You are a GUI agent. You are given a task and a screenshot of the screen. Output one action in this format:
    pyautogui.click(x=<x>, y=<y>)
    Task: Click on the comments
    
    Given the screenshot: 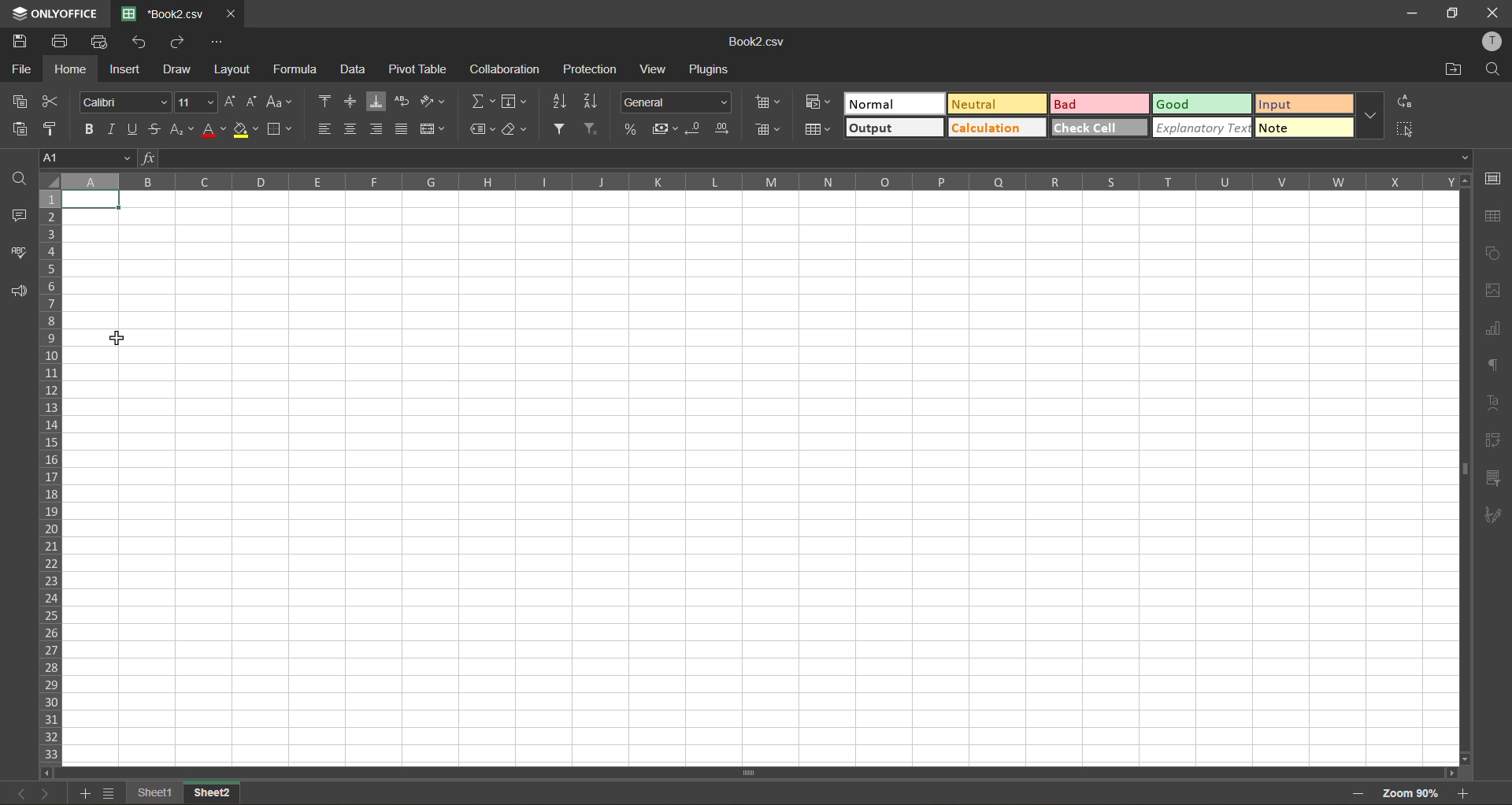 What is the action you would take?
    pyautogui.click(x=16, y=213)
    